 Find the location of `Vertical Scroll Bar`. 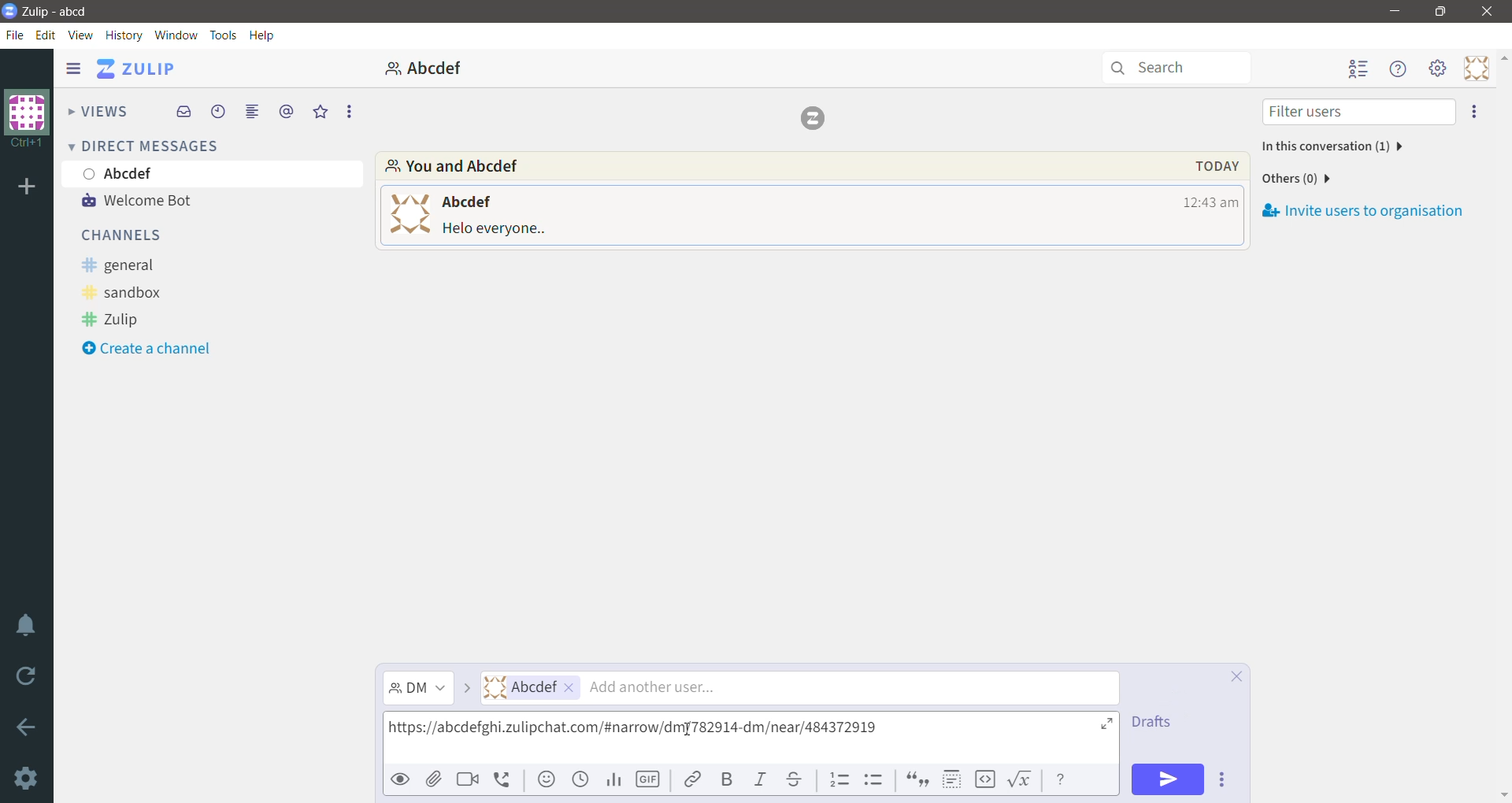

Vertical Scroll Bar is located at coordinates (1503, 426).